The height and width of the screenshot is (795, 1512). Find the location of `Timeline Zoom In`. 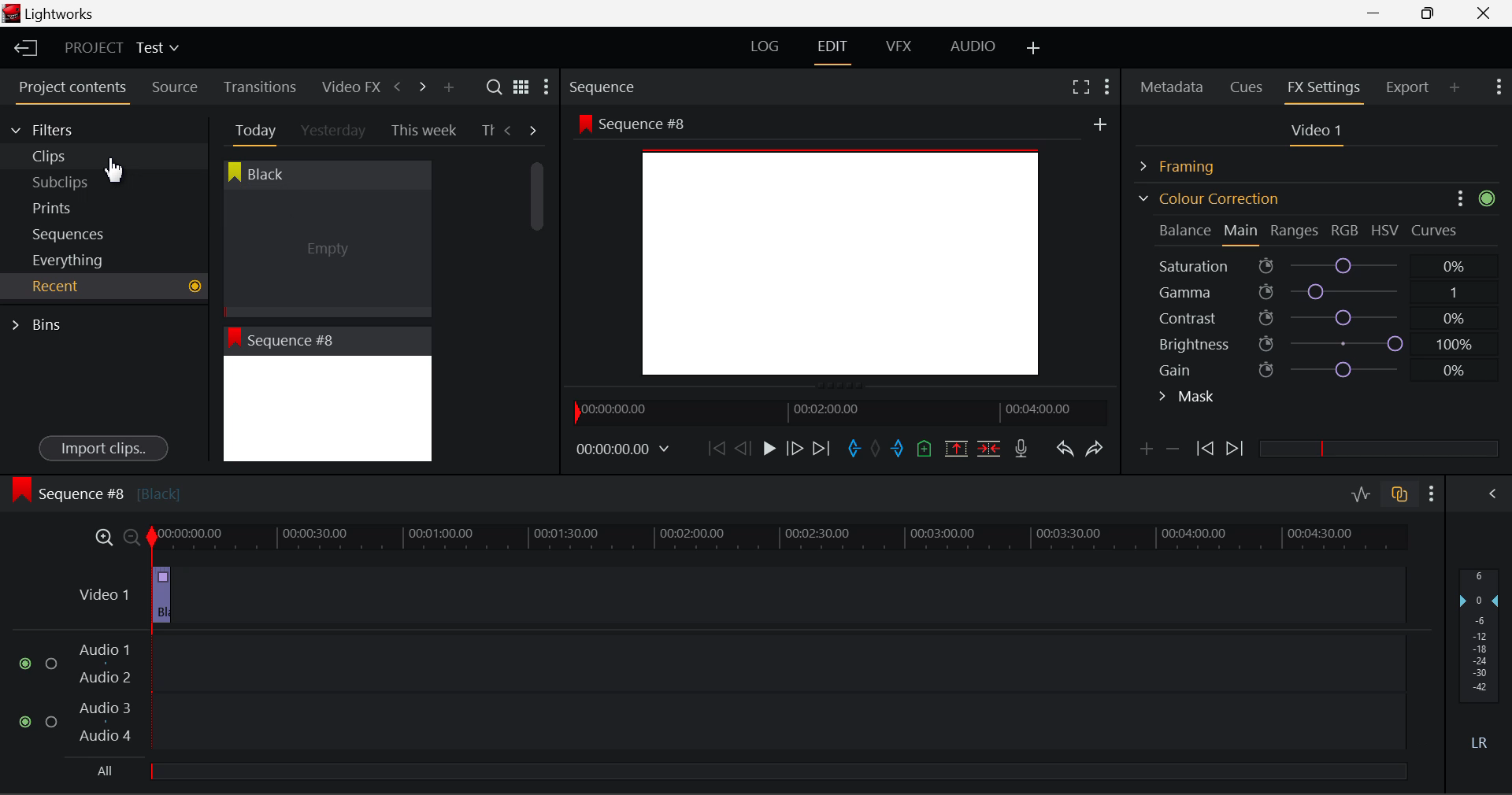

Timeline Zoom In is located at coordinates (101, 537).